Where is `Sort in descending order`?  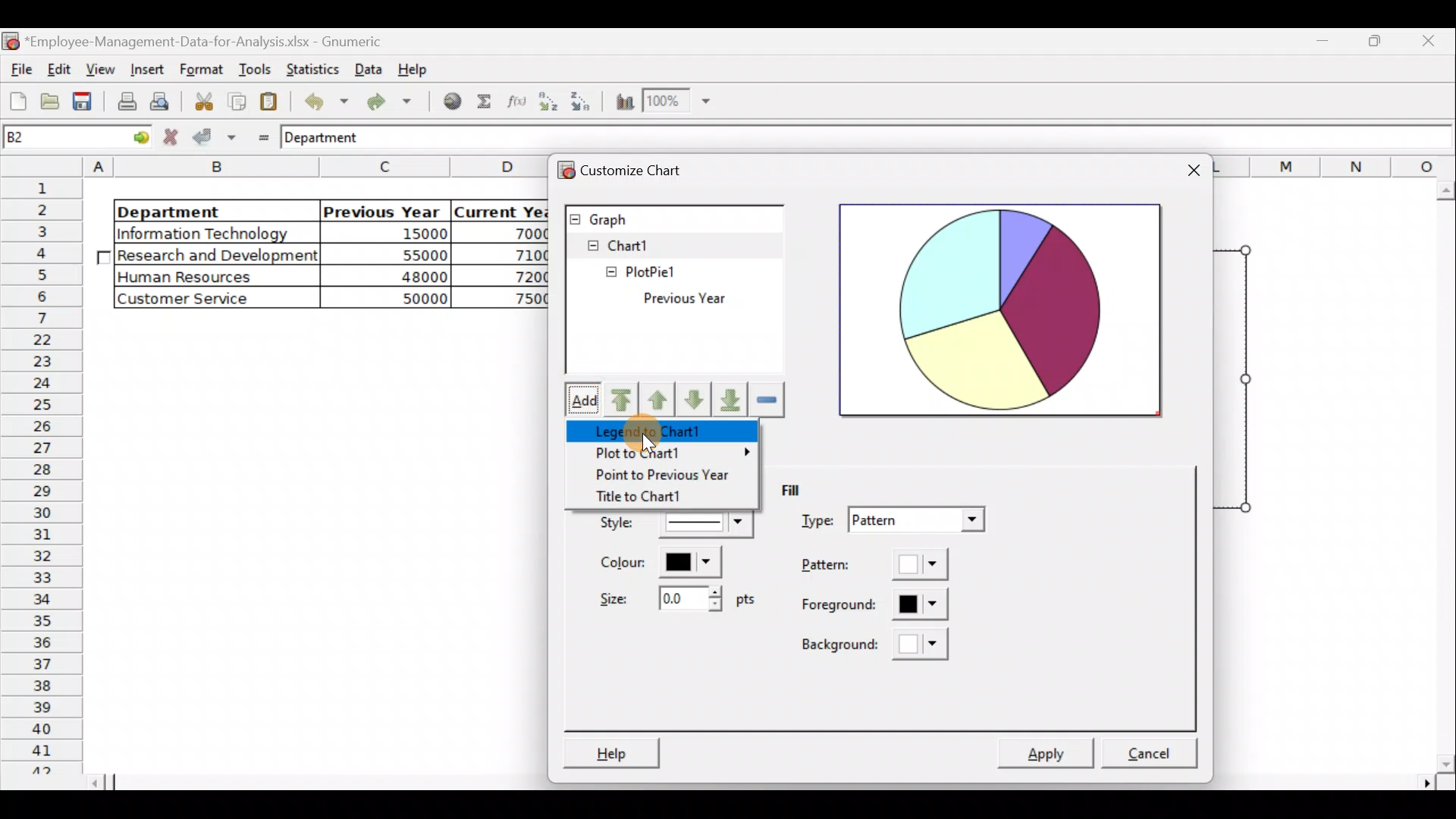
Sort in descending order is located at coordinates (582, 102).